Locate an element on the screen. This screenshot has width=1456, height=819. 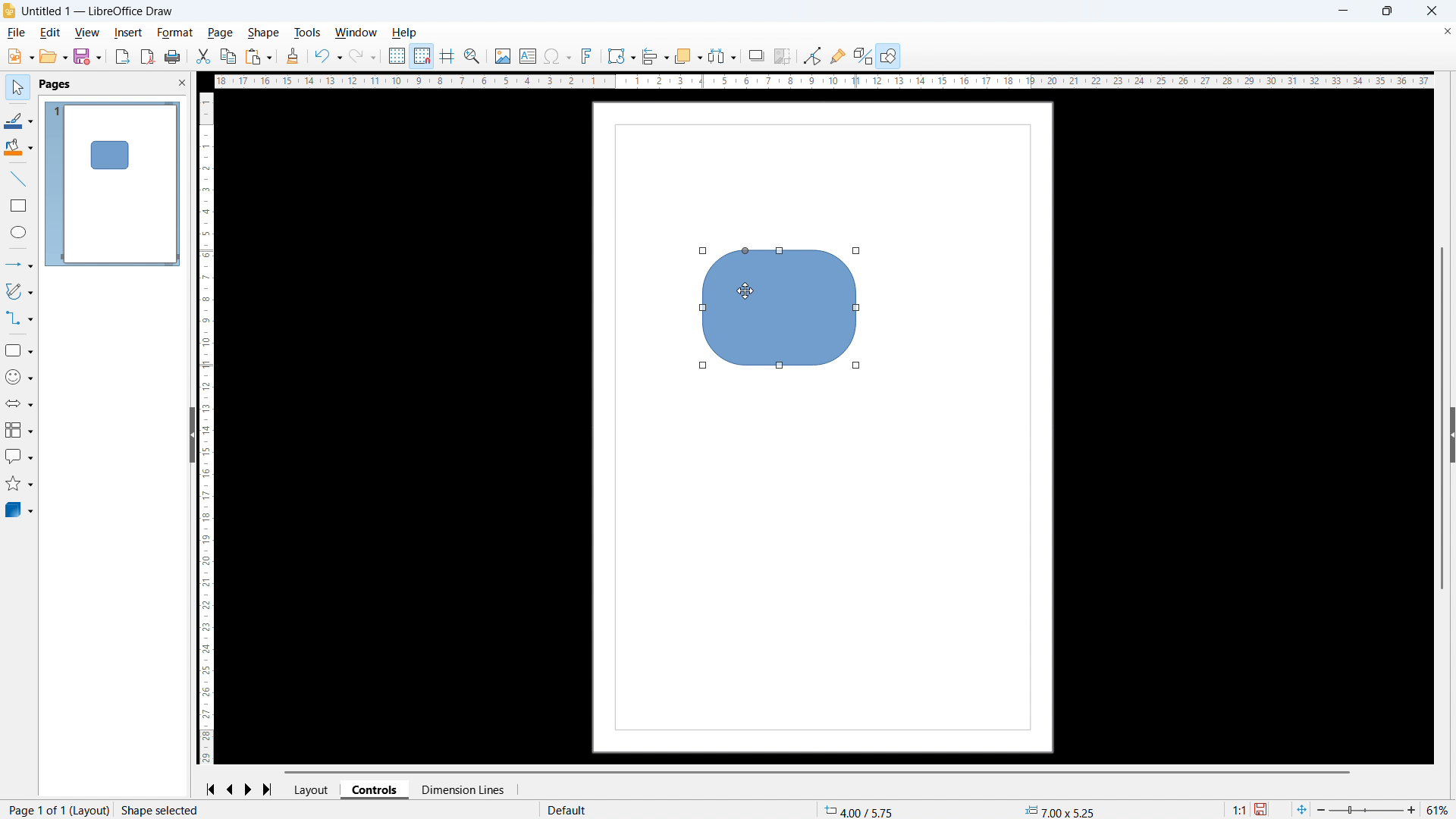
toggle extrusion is located at coordinates (863, 55).